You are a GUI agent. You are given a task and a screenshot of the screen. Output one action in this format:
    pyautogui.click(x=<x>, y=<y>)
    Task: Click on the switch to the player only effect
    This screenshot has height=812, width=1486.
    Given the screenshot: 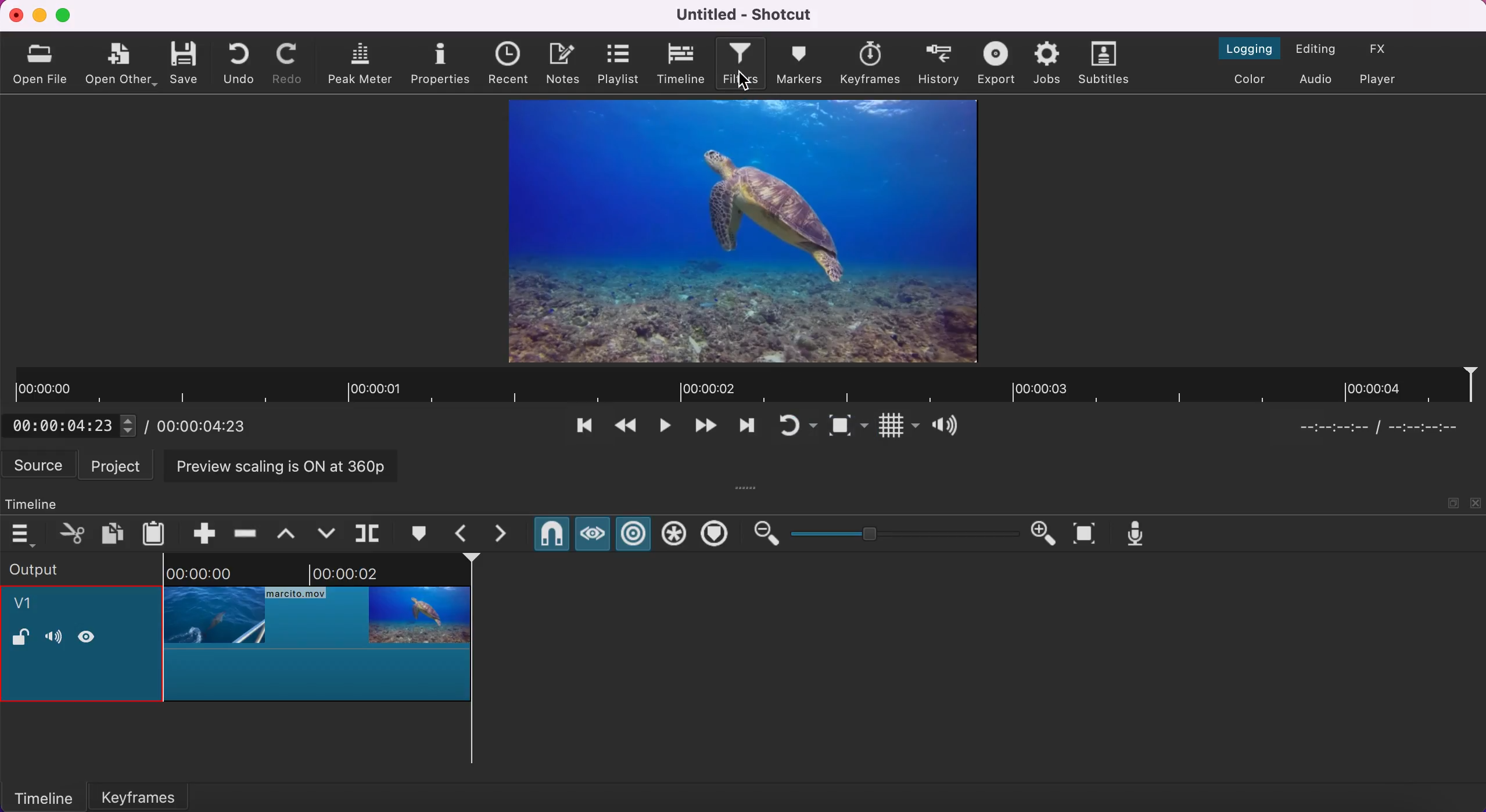 What is the action you would take?
    pyautogui.click(x=1385, y=79)
    